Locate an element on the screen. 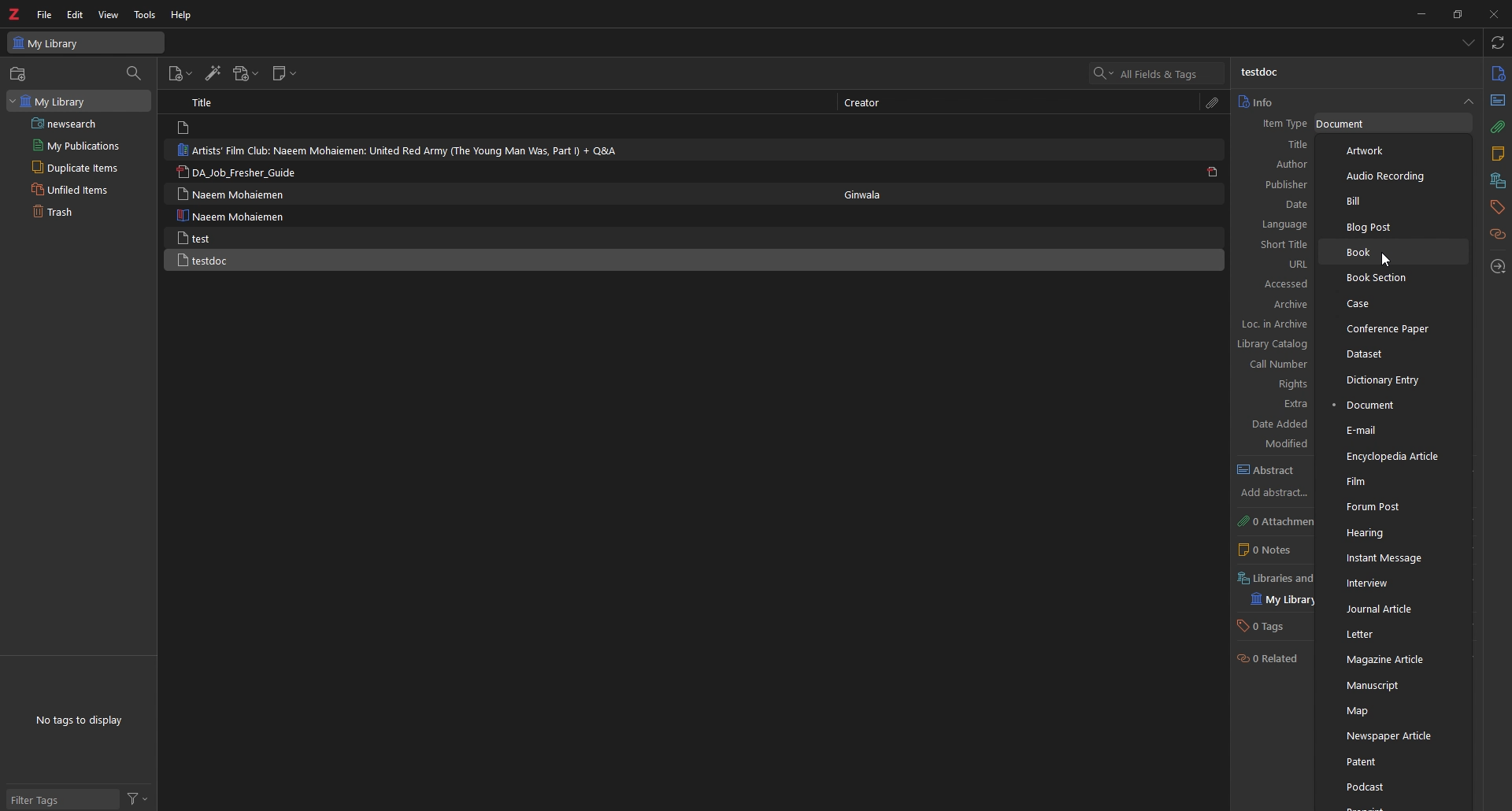 The width and height of the screenshot is (1512, 811). Loc. in Archive is located at coordinates (1273, 324).